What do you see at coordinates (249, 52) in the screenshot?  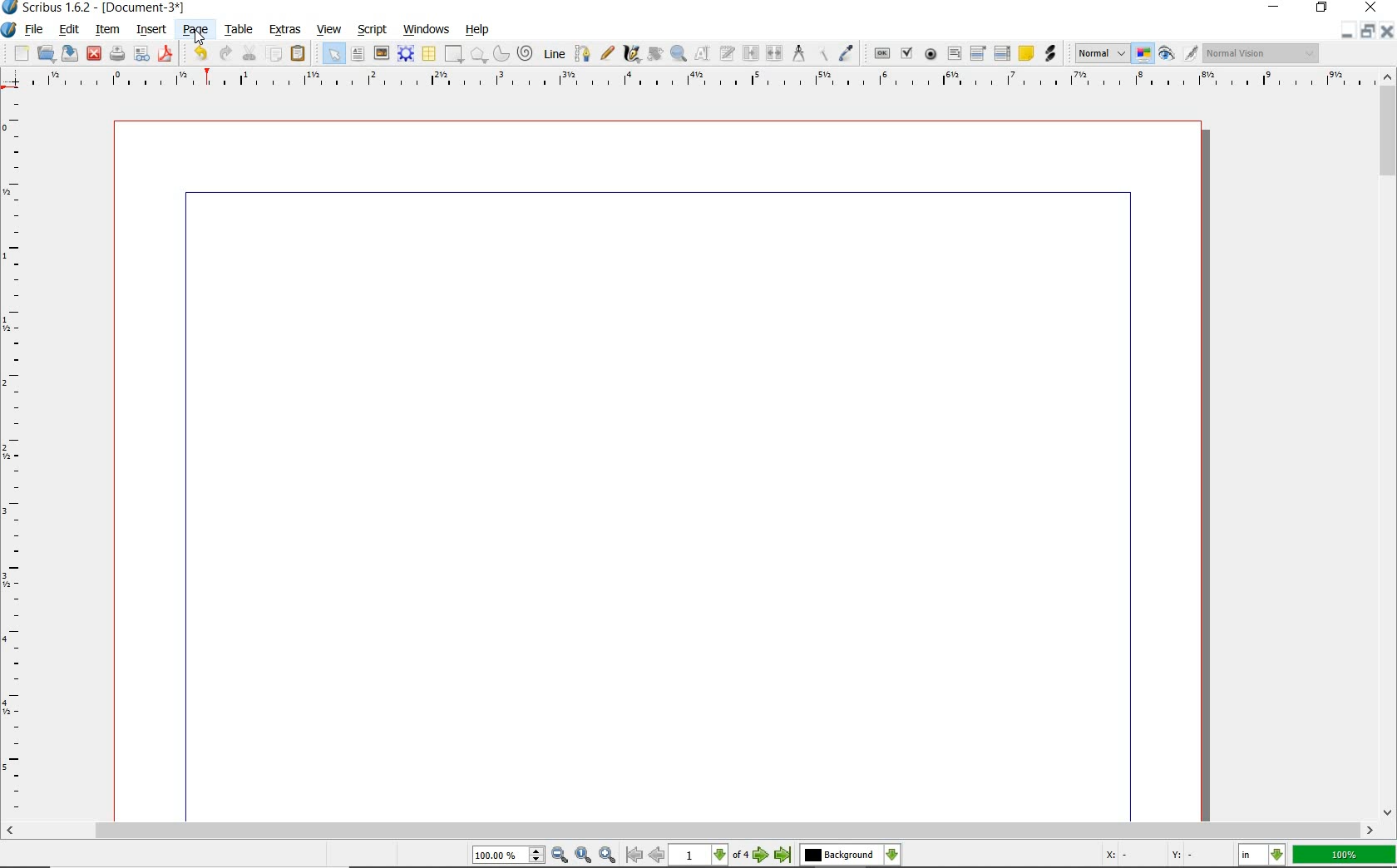 I see `cut` at bounding box center [249, 52].